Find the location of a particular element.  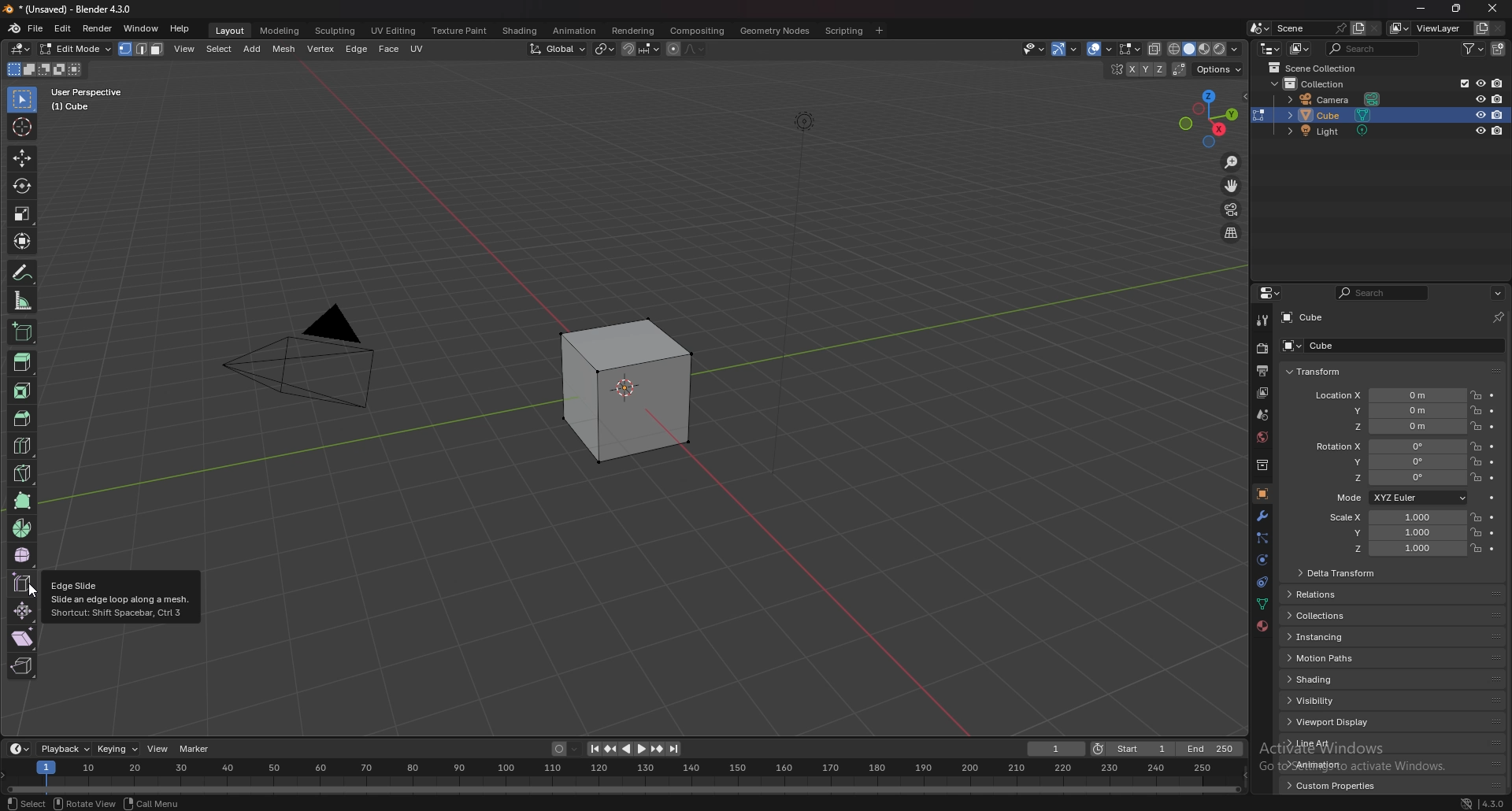

search is located at coordinates (1384, 293).